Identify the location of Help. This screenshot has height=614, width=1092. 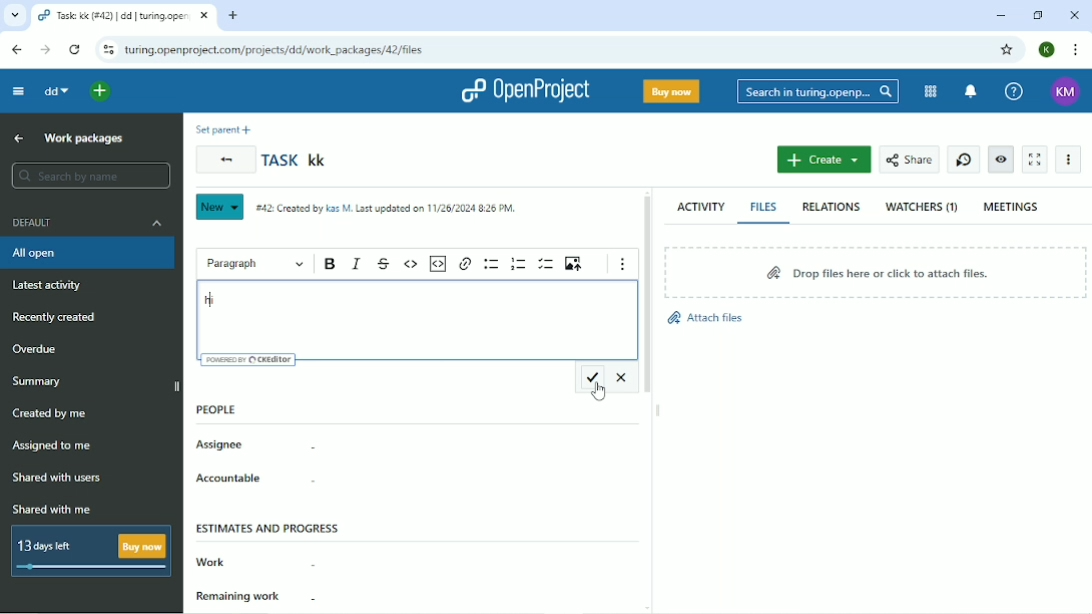
(1014, 90).